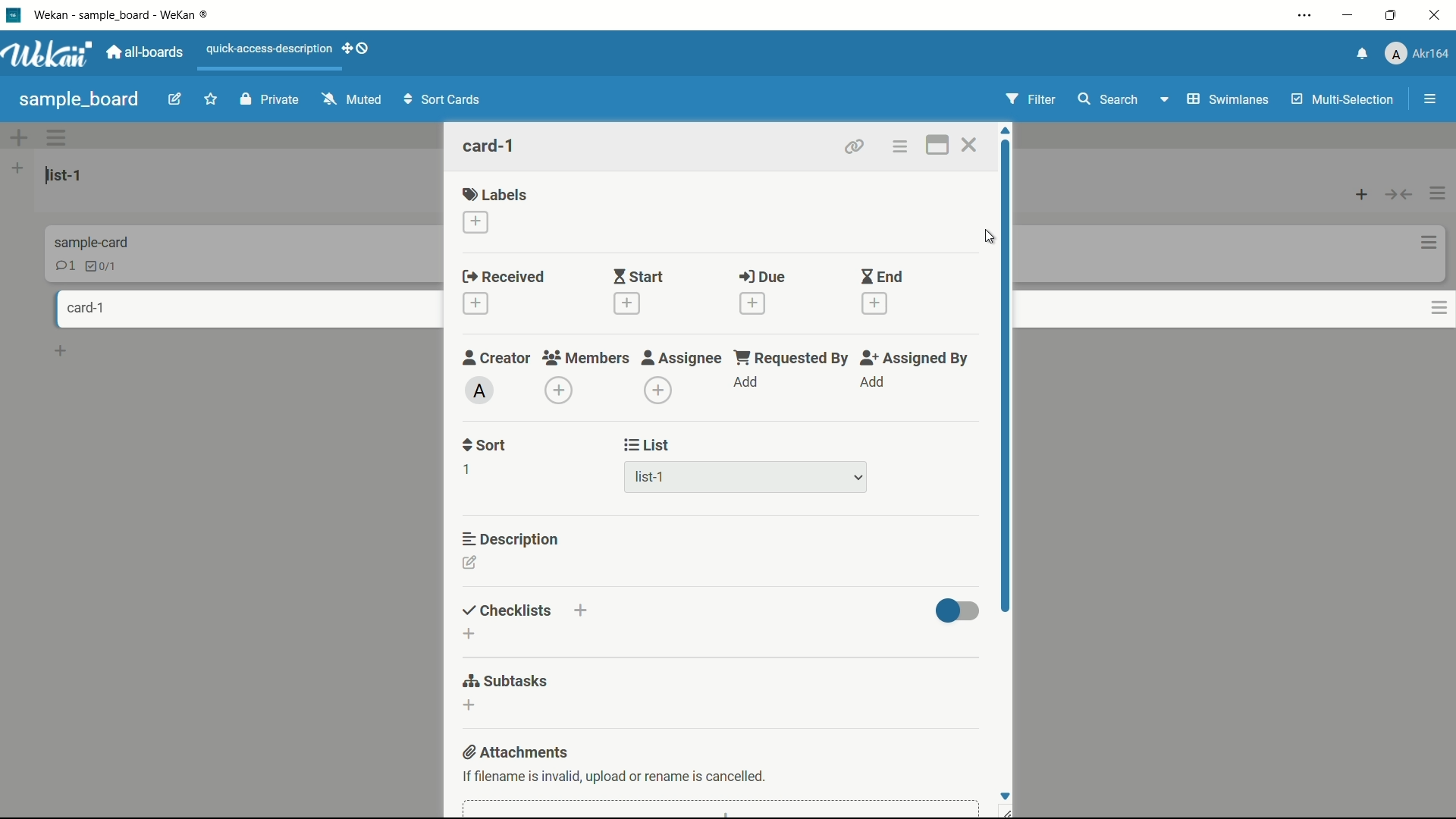  What do you see at coordinates (17, 140) in the screenshot?
I see `add swimlane` at bounding box center [17, 140].